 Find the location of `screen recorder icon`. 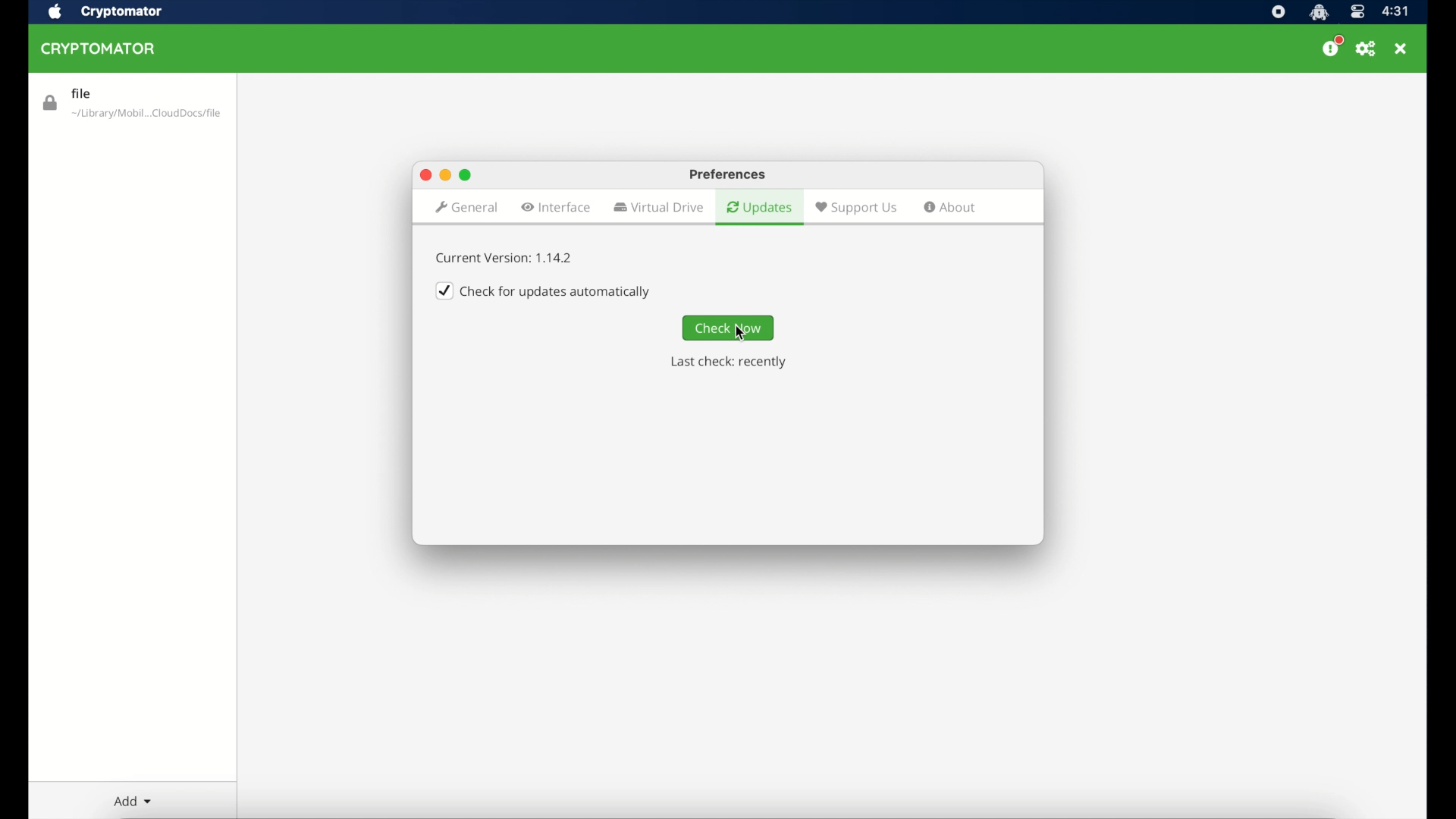

screen recorder icon is located at coordinates (1278, 12).